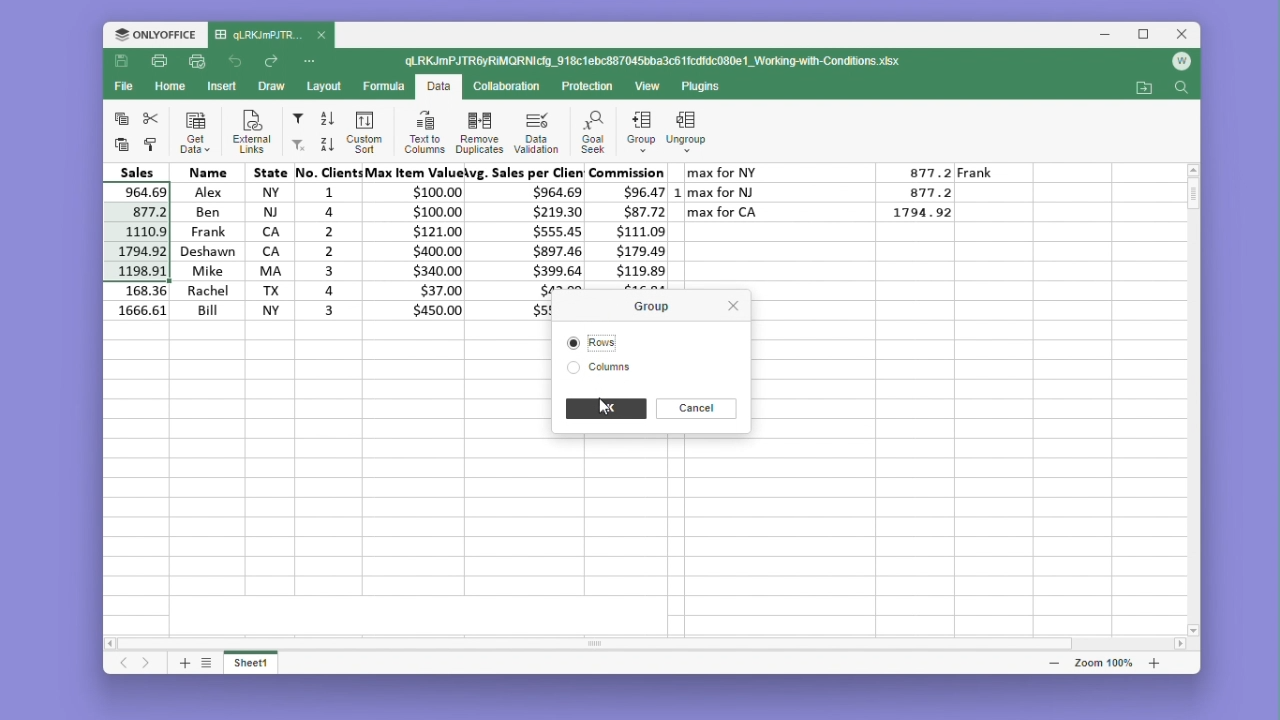  Describe the element at coordinates (687, 124) in the screenshot. I see `Ungroup` at that location.